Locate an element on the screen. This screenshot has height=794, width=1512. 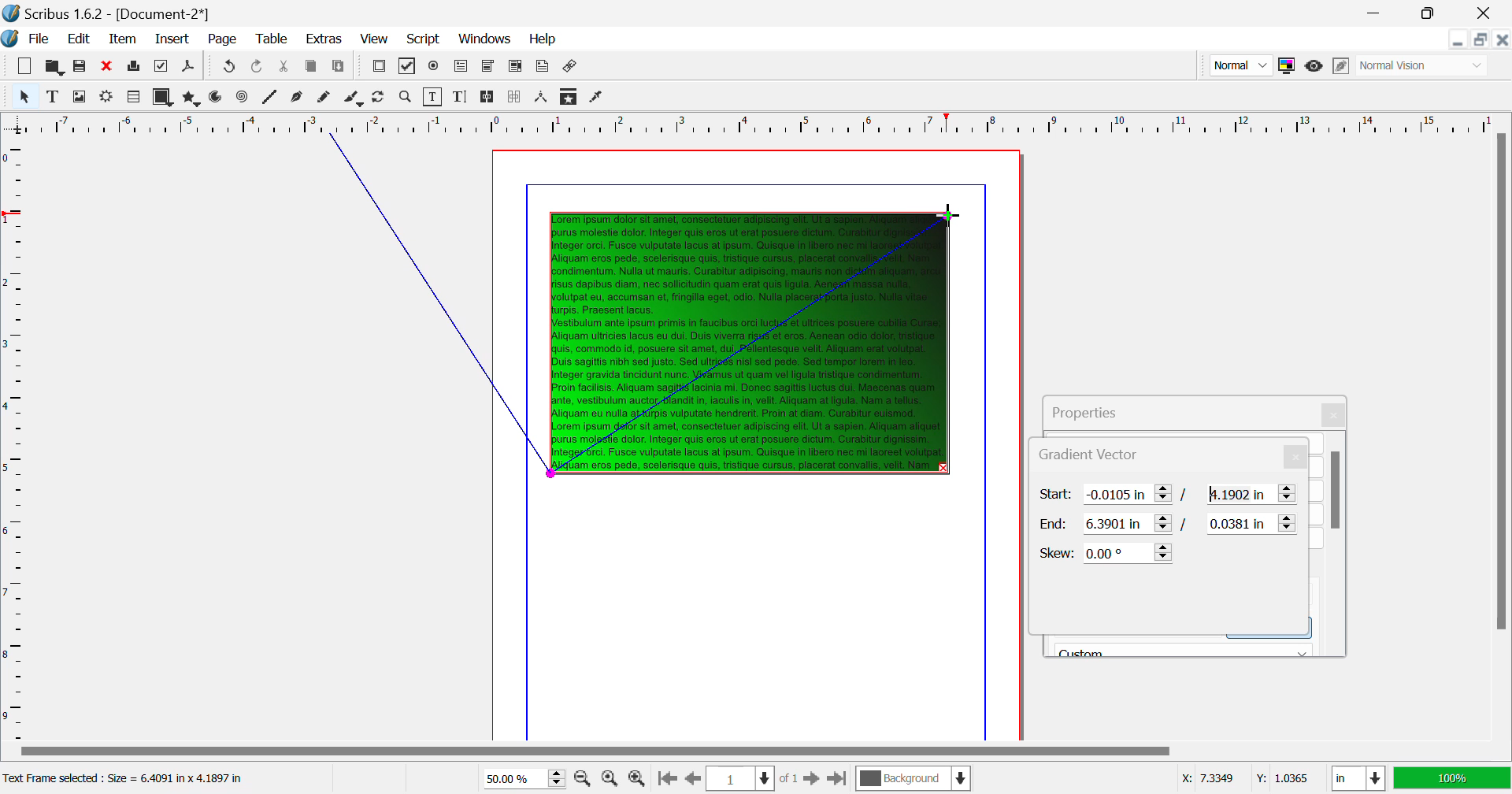
Zoom 50% is located at coordinates (518, 778).